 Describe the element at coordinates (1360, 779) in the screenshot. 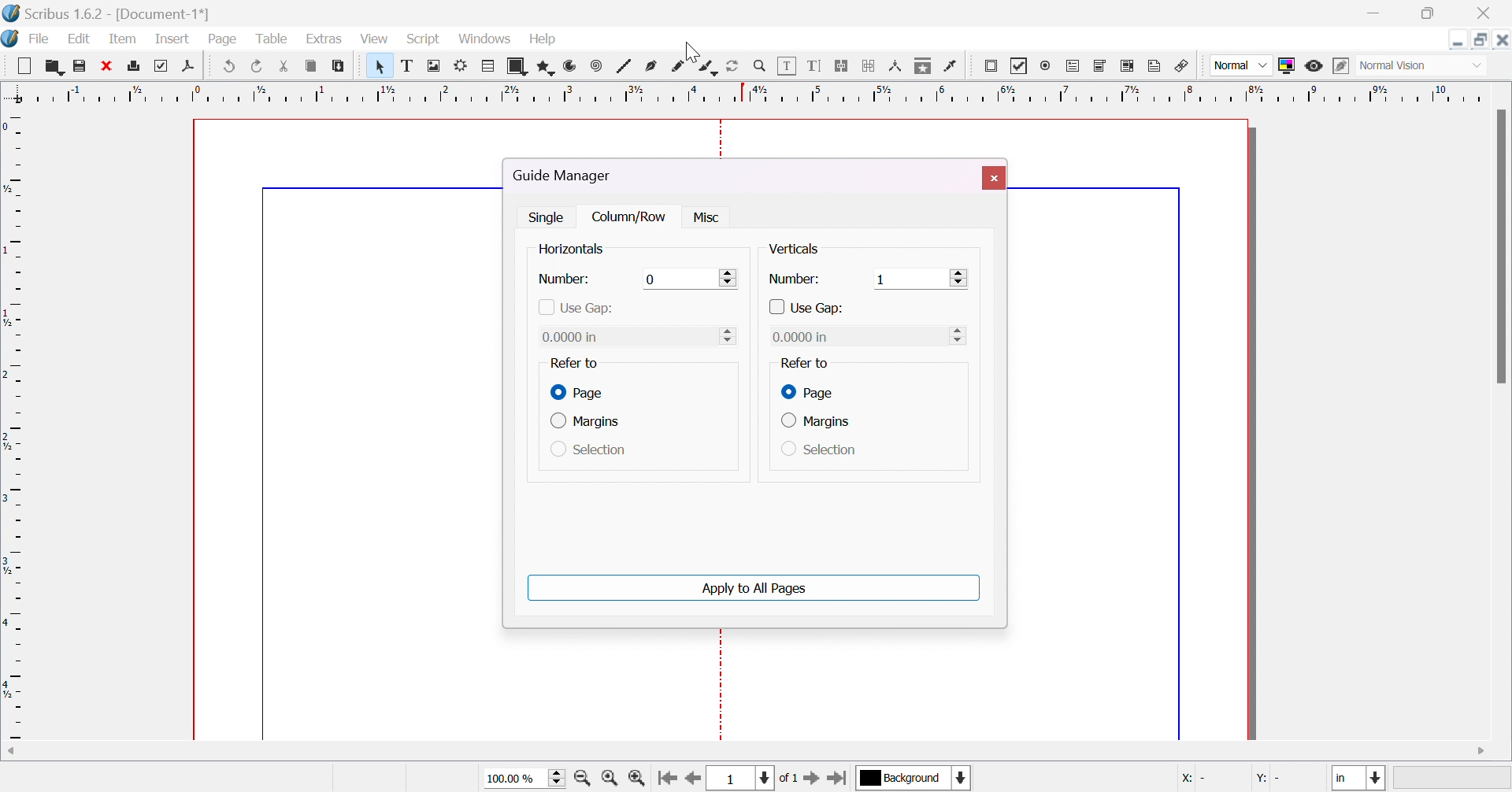

I see `select current unit` at that location.